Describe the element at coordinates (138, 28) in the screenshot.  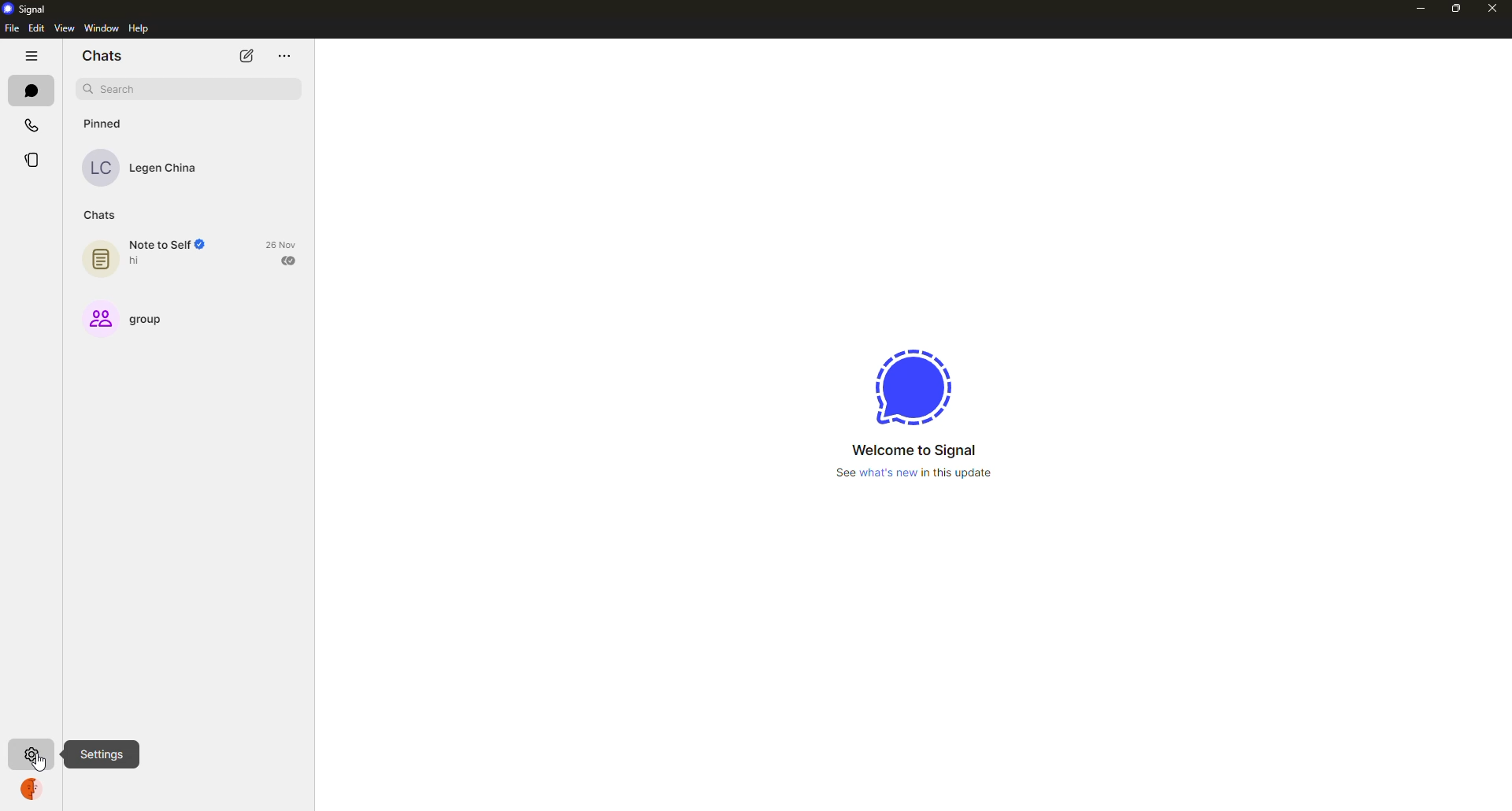
I see `help` at that location.